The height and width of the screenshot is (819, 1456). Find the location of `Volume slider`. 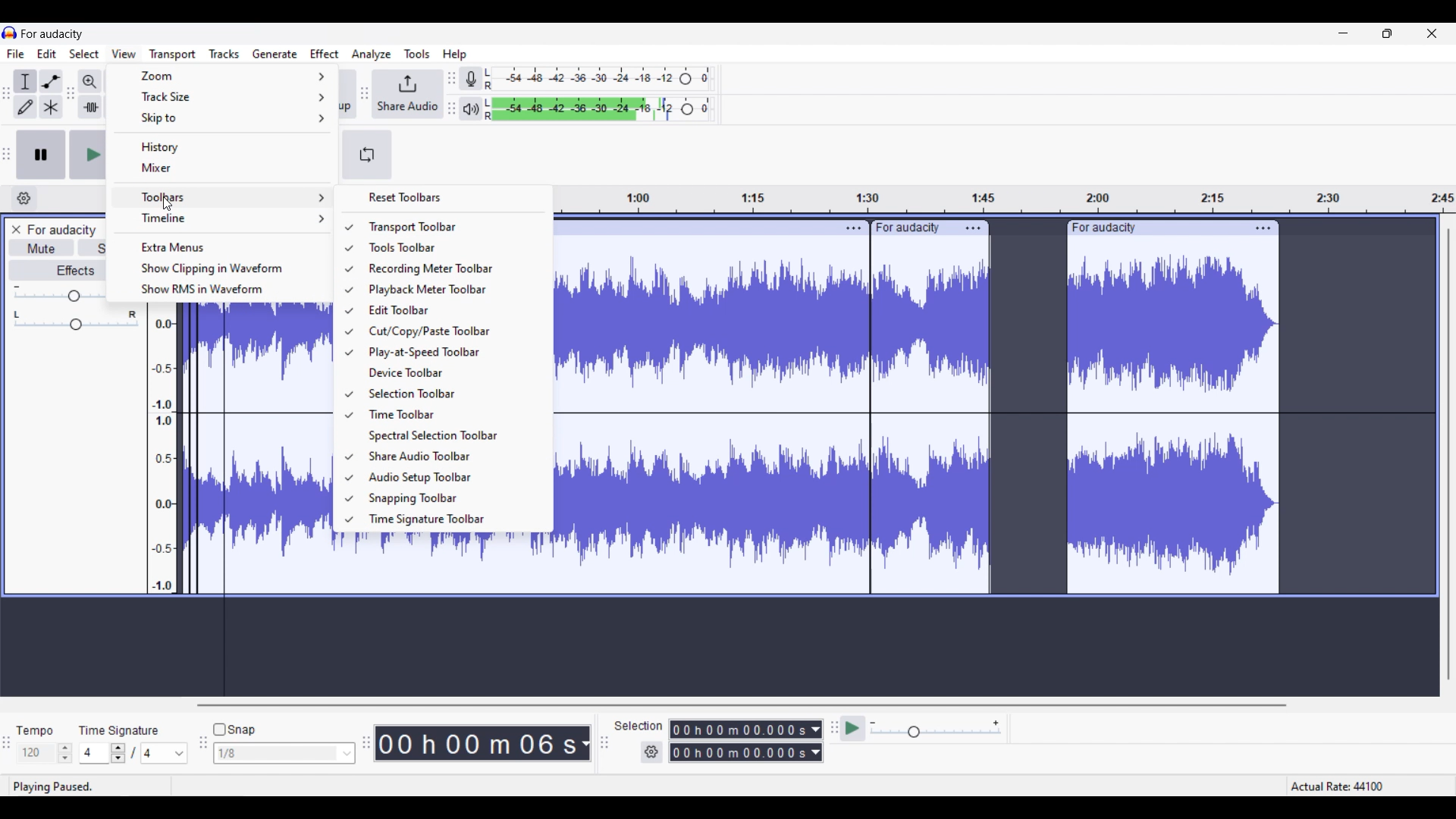

Volume slider is located at coordinates (58, 293).